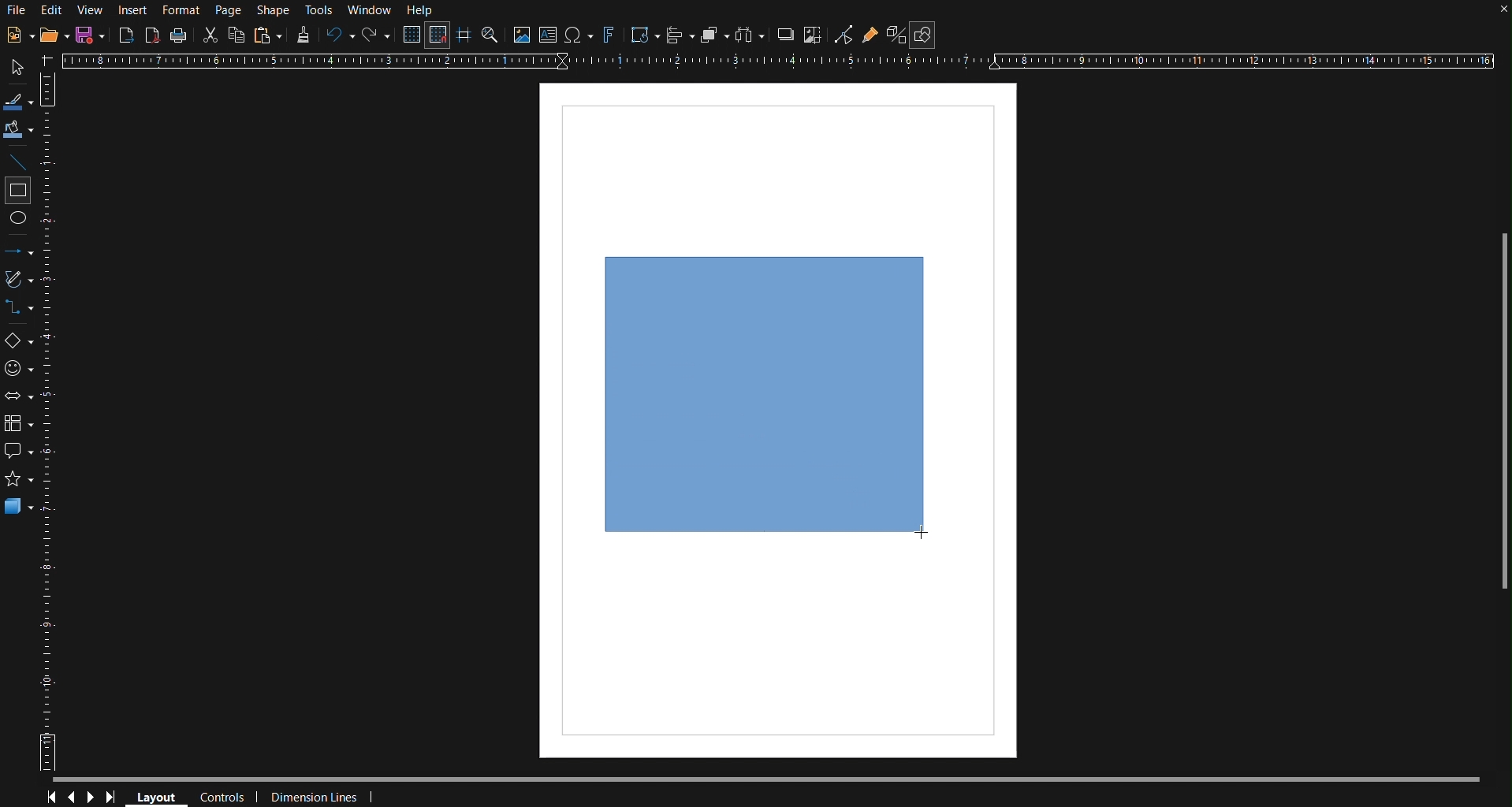 This screenshot has width=1512, height=807. I want to click on Open, so click(56, 34).